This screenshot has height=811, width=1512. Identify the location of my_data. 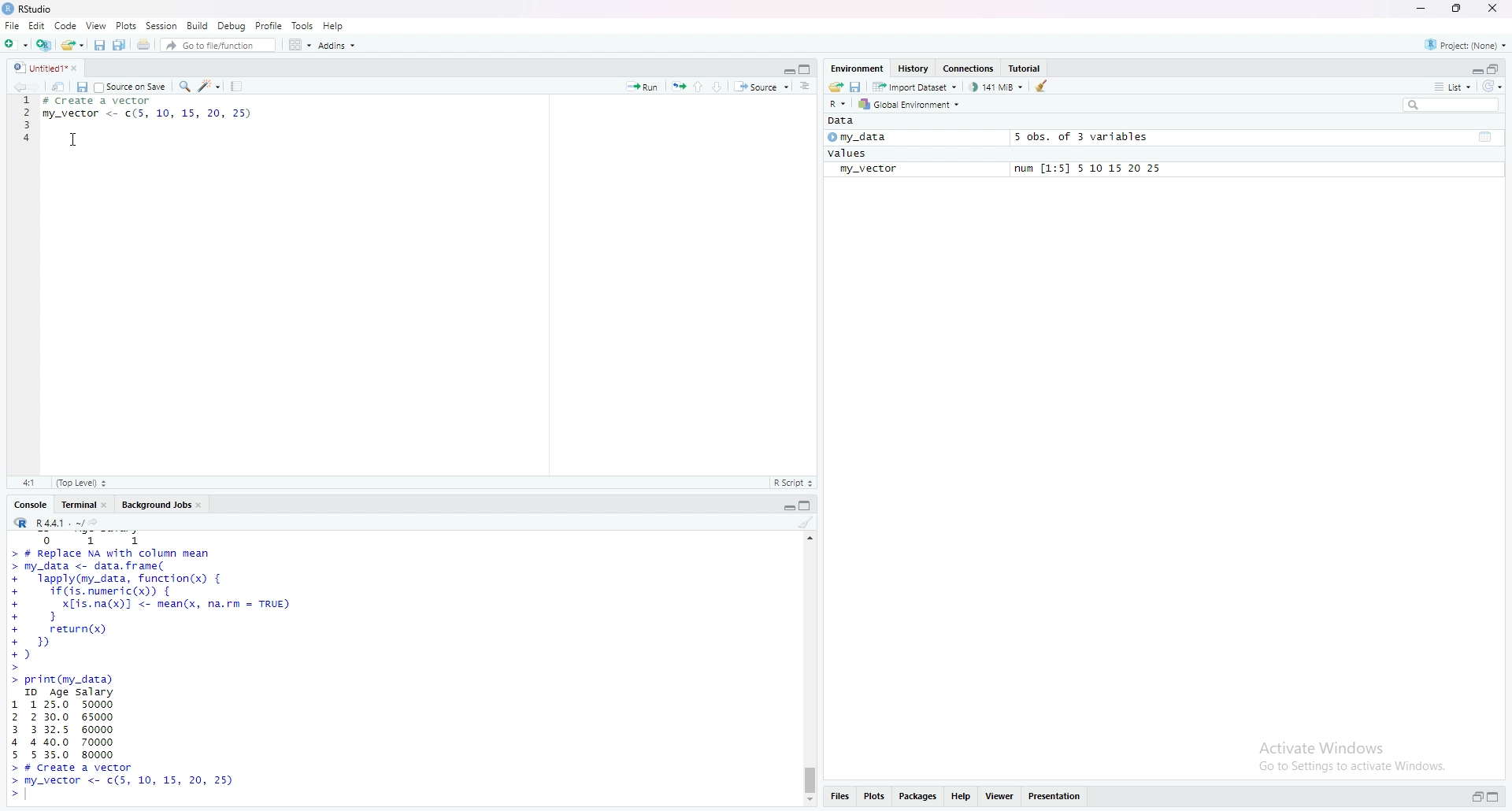
(861, 137).